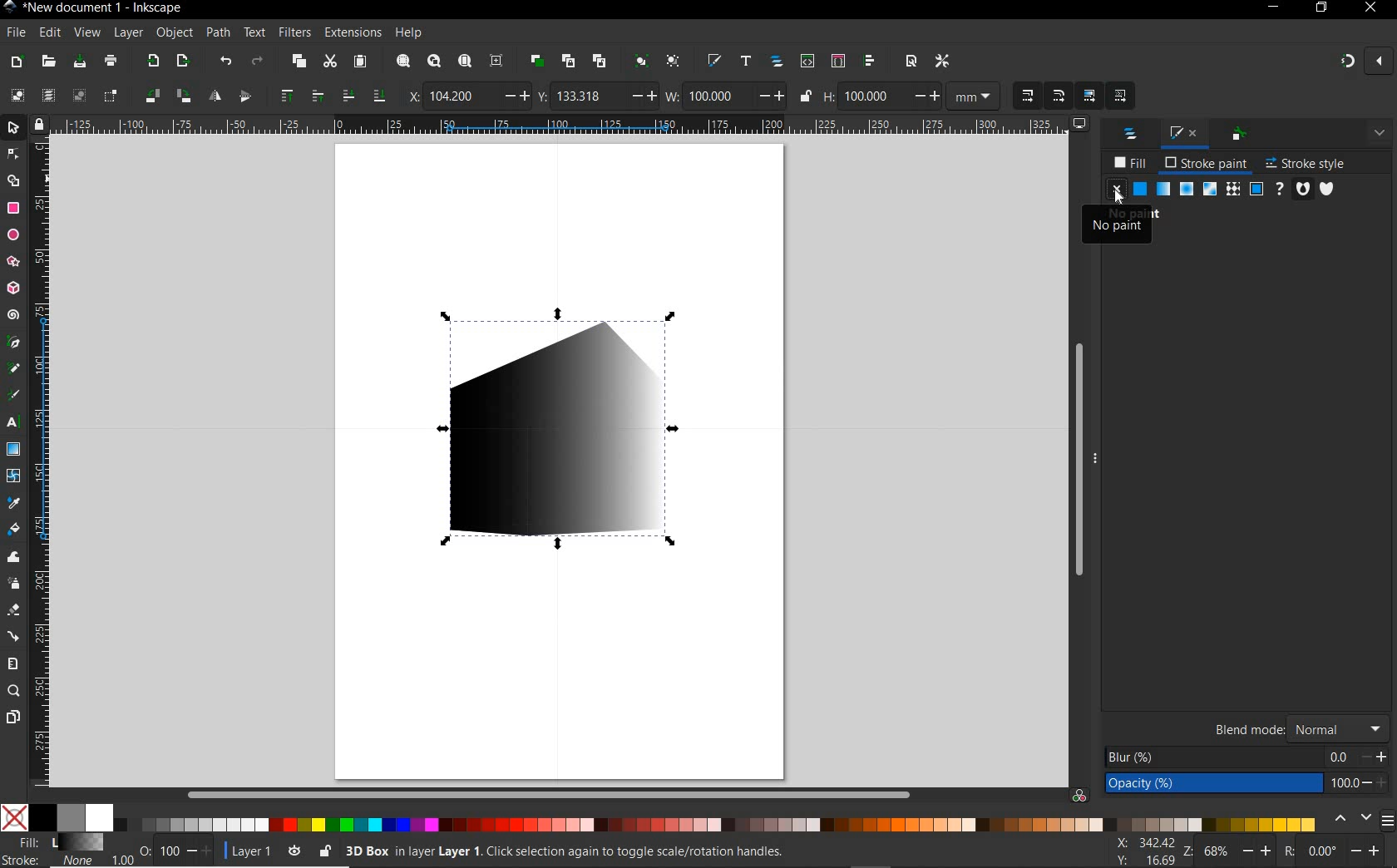 Image resolution: width=1397 pixels, height=868 pixels. Describe the element at coordinates (378, 95) in the screenshot. I see `LOWER SELECTION` at that location.